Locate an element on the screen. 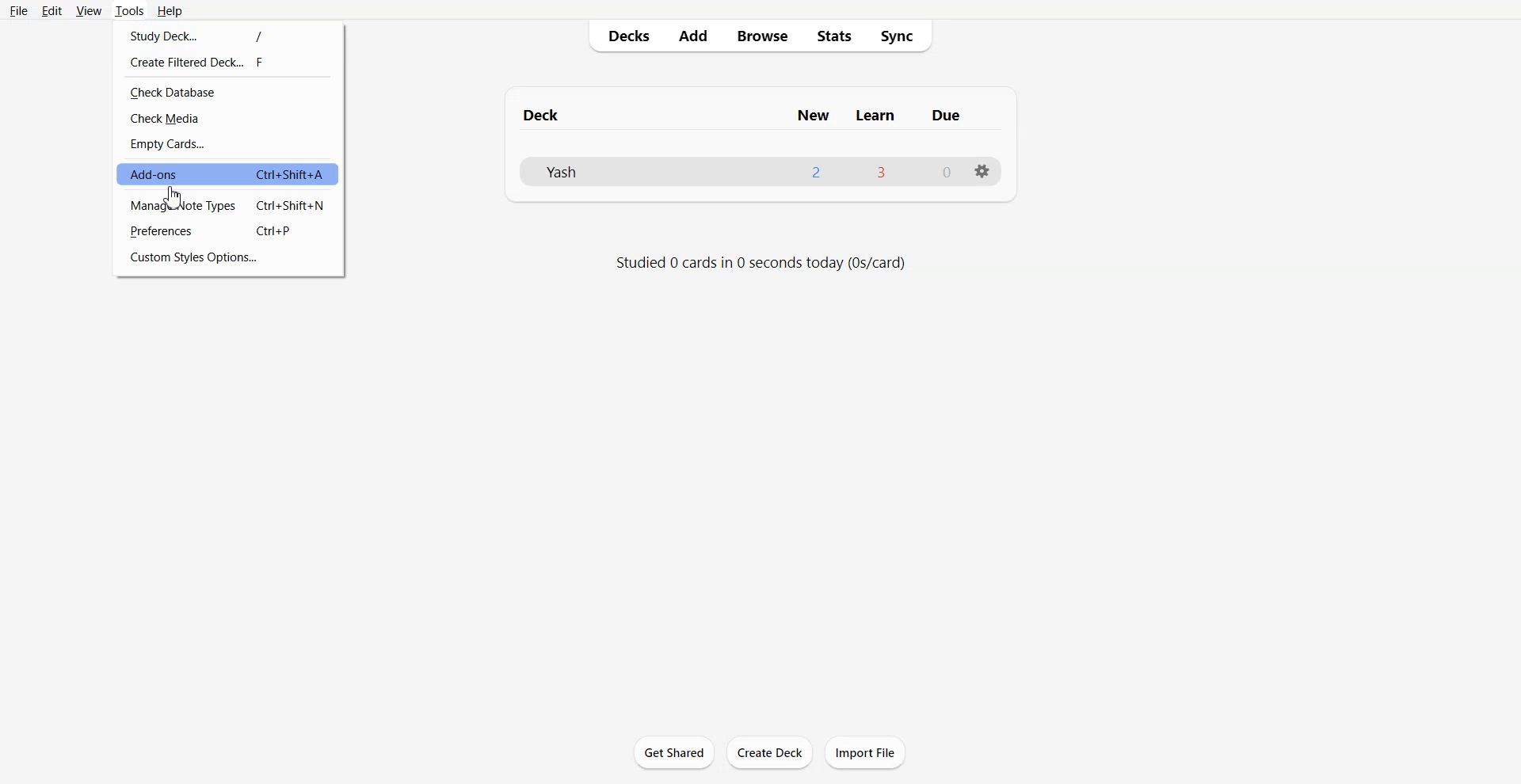 The image size is (1521, 784). Check Media is located at coordinates (227, 119).